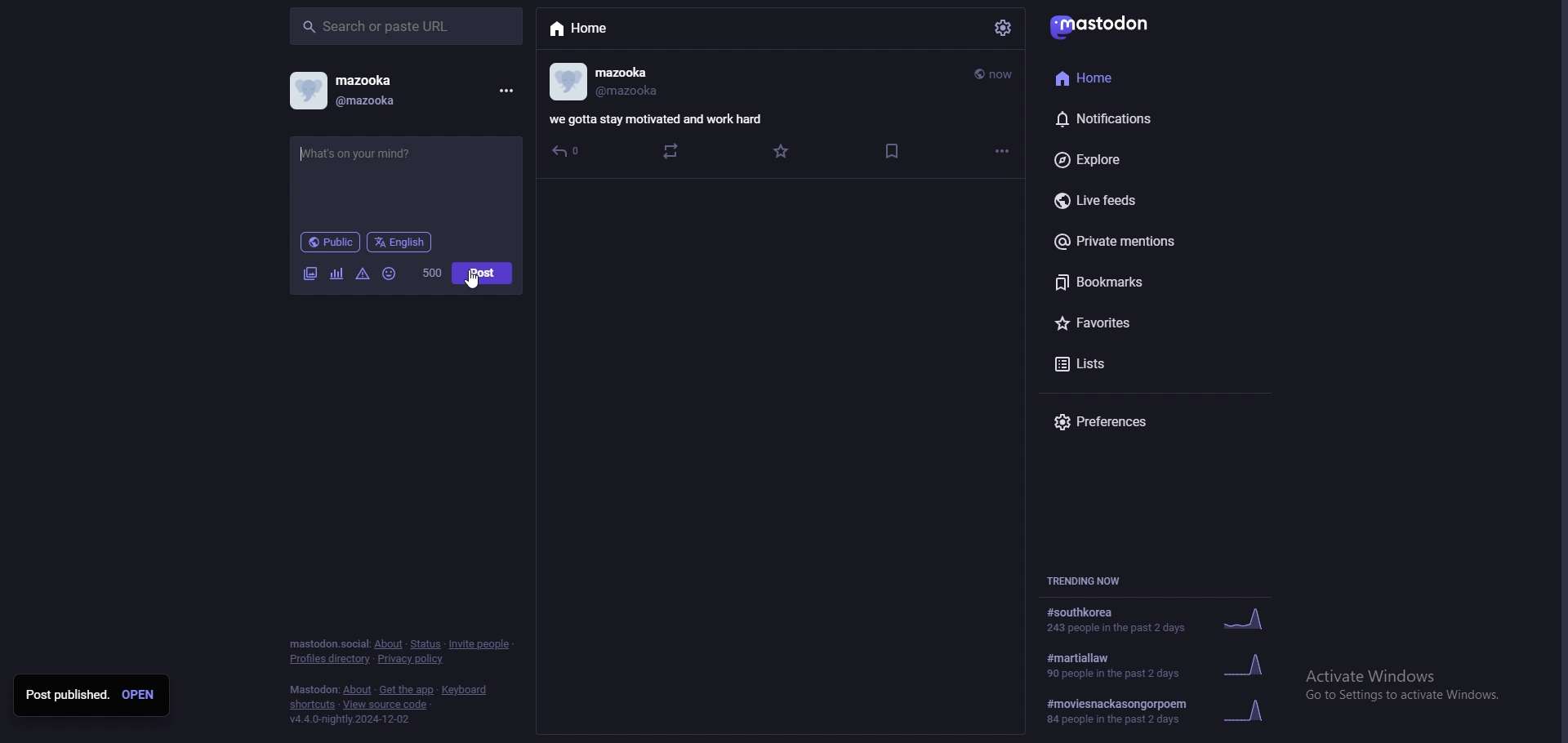 Image resolution: width=1568 pixels, height=743 pixels. Describe the element at coordinates (1172, 664) in the screenshot. I see `trending` at that location.